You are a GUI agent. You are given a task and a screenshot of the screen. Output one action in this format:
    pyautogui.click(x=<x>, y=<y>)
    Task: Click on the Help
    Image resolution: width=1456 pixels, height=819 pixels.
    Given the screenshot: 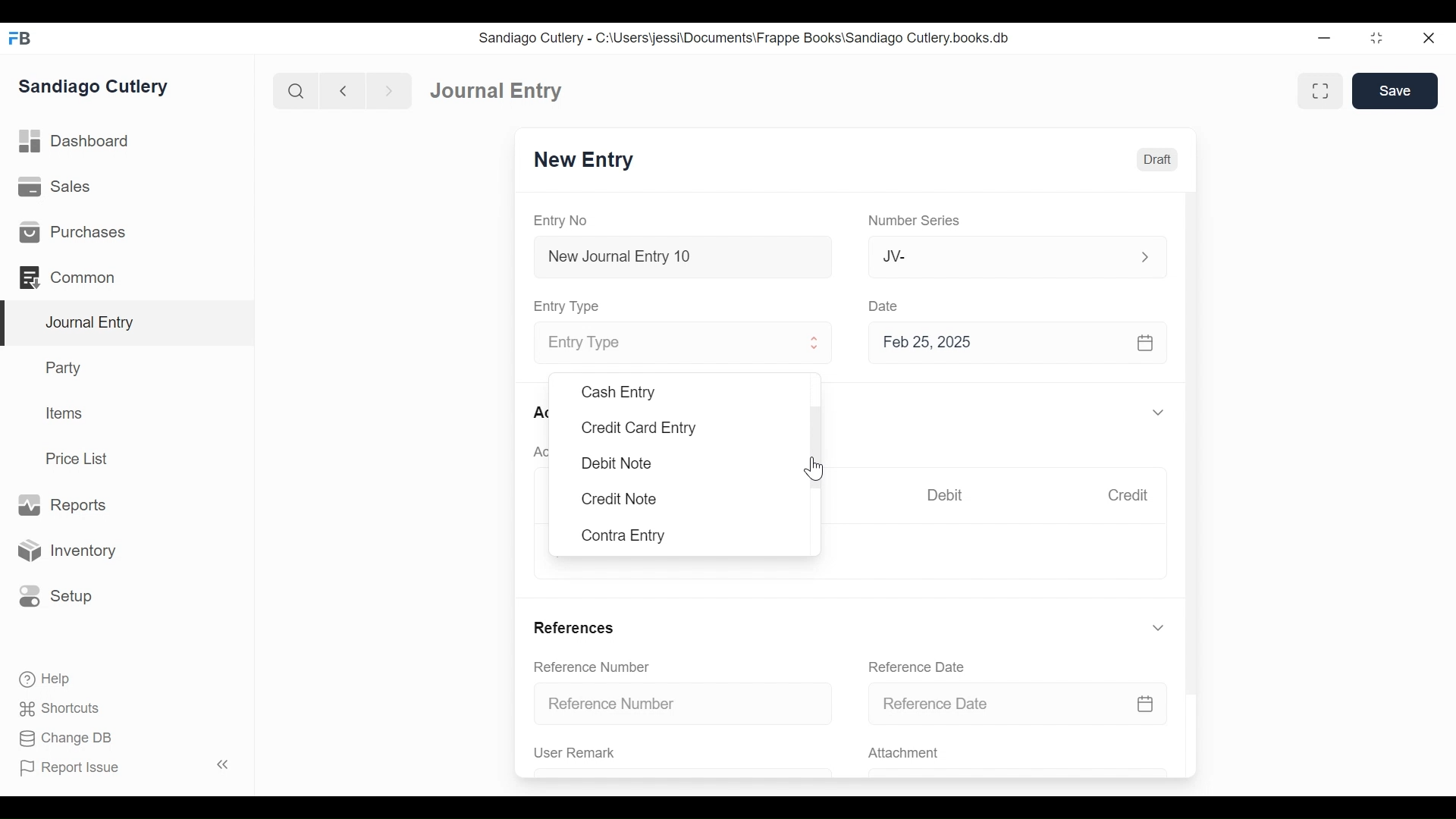 What is the action you would take?
    pyautogui.click(x=42, y=677)
    